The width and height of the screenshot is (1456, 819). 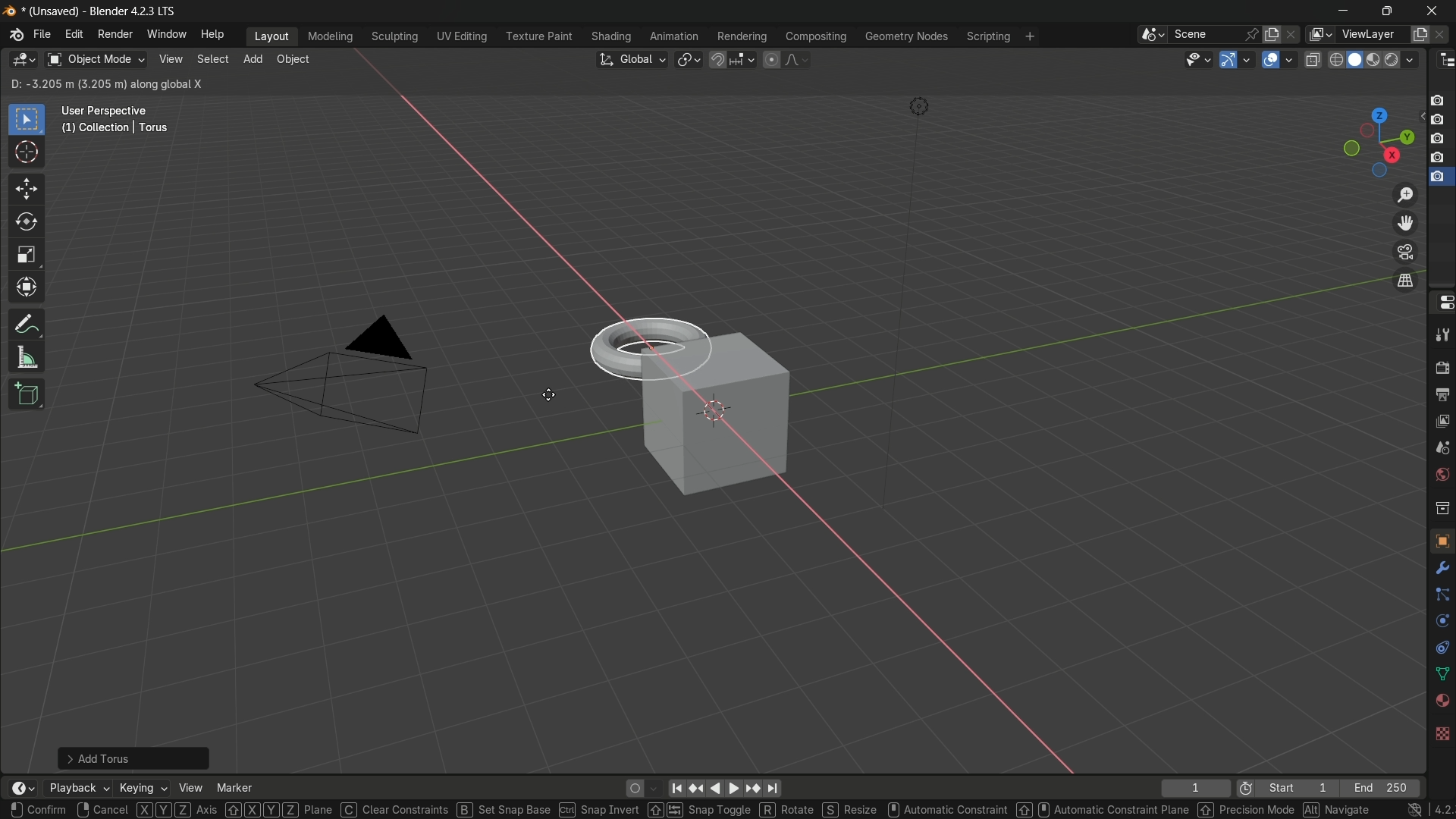 I want to click on add layer, so click(x=1420, y=35).